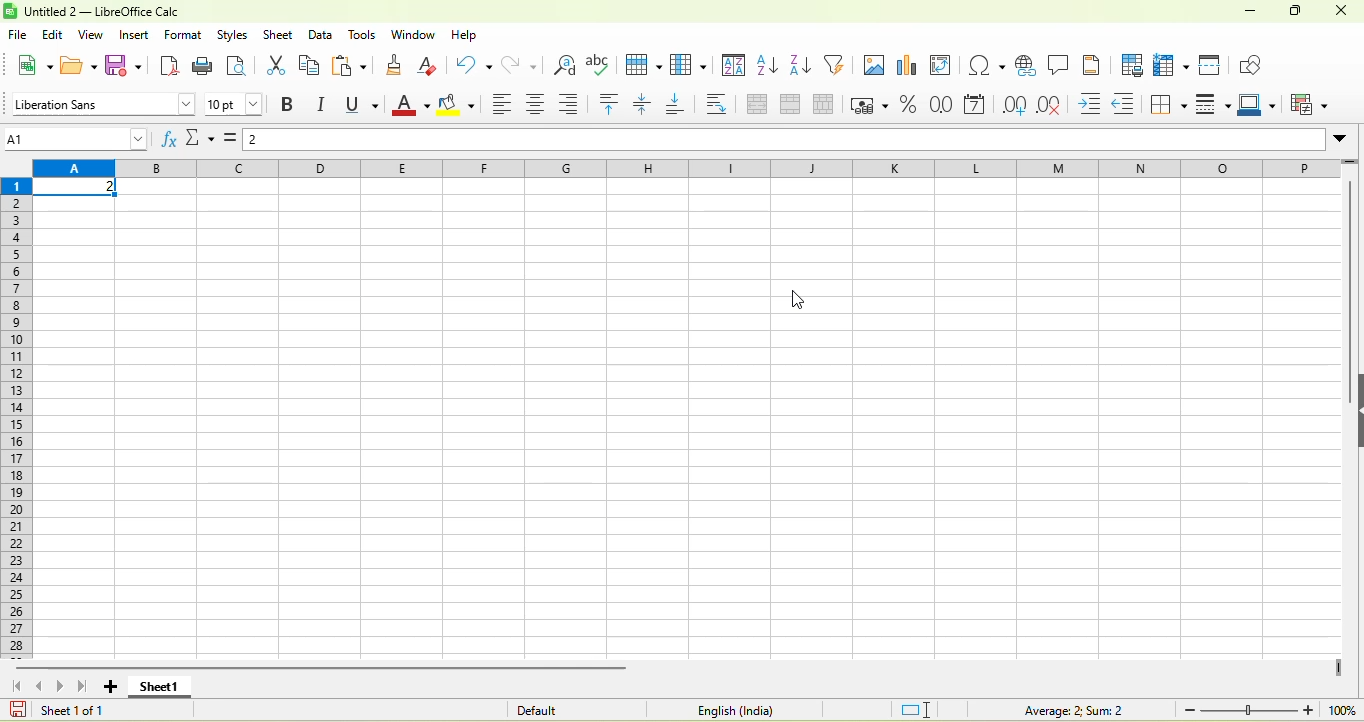 The height and width of the screenshot is (722, 1364). Describe the element at coordinates (1249, 12) in the screenshot. I see `minuimize` at that location.